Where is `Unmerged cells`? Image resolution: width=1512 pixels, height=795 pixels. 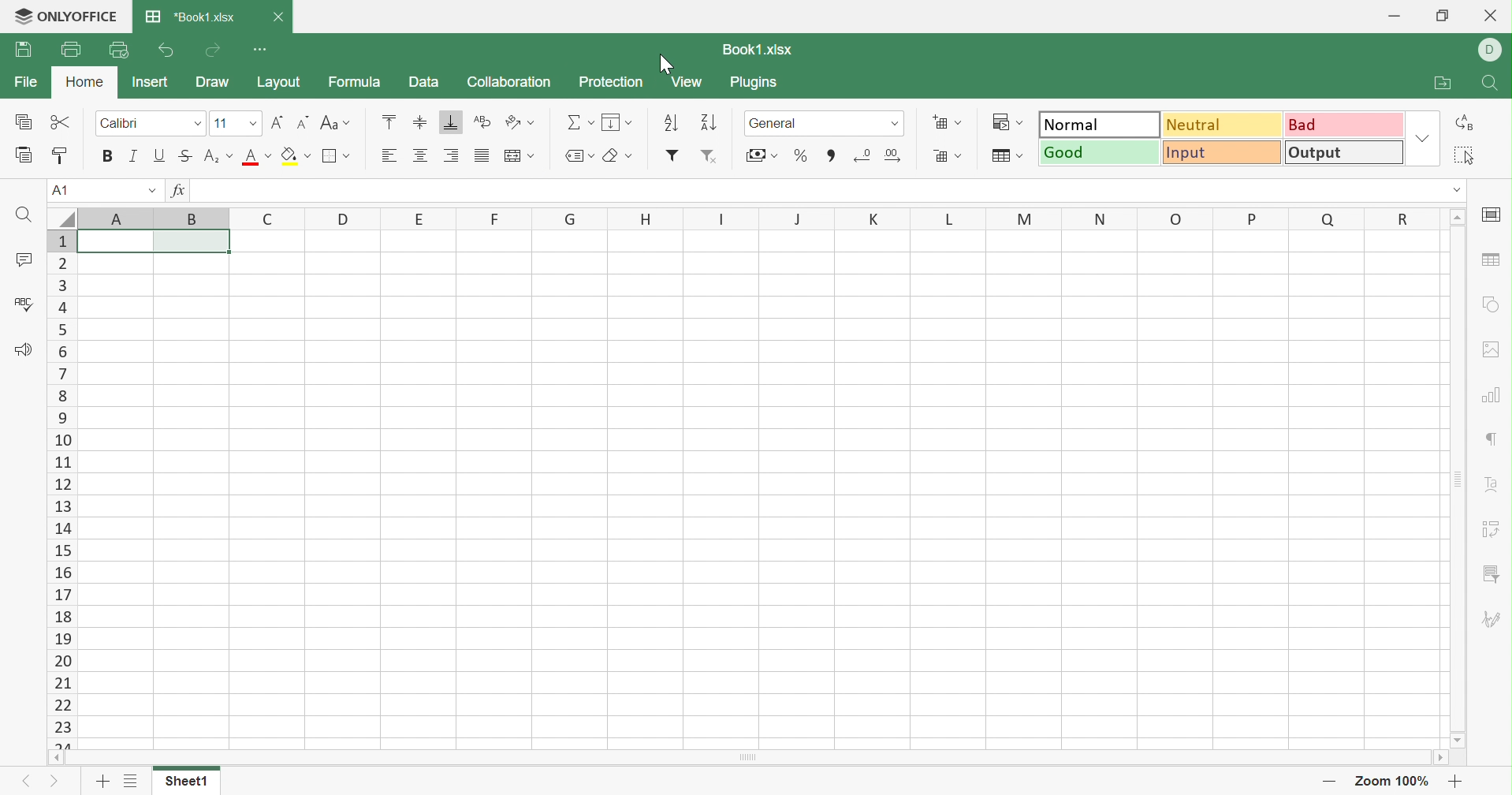 Unmerged cells is located at coordinates (155, 242).